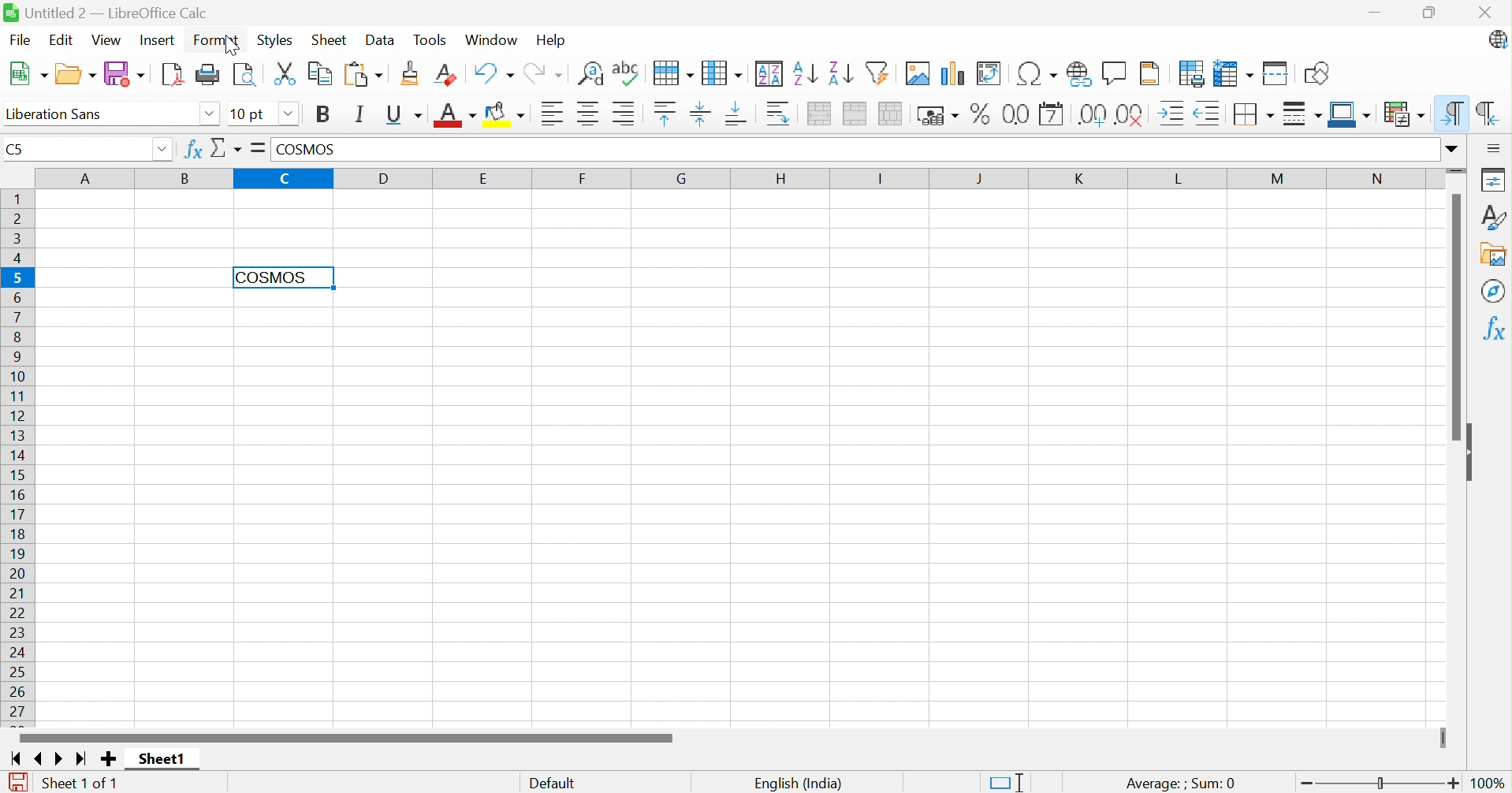 The width and height of the screenshot is (1512, 793). I want to click on , so click(110, 39).